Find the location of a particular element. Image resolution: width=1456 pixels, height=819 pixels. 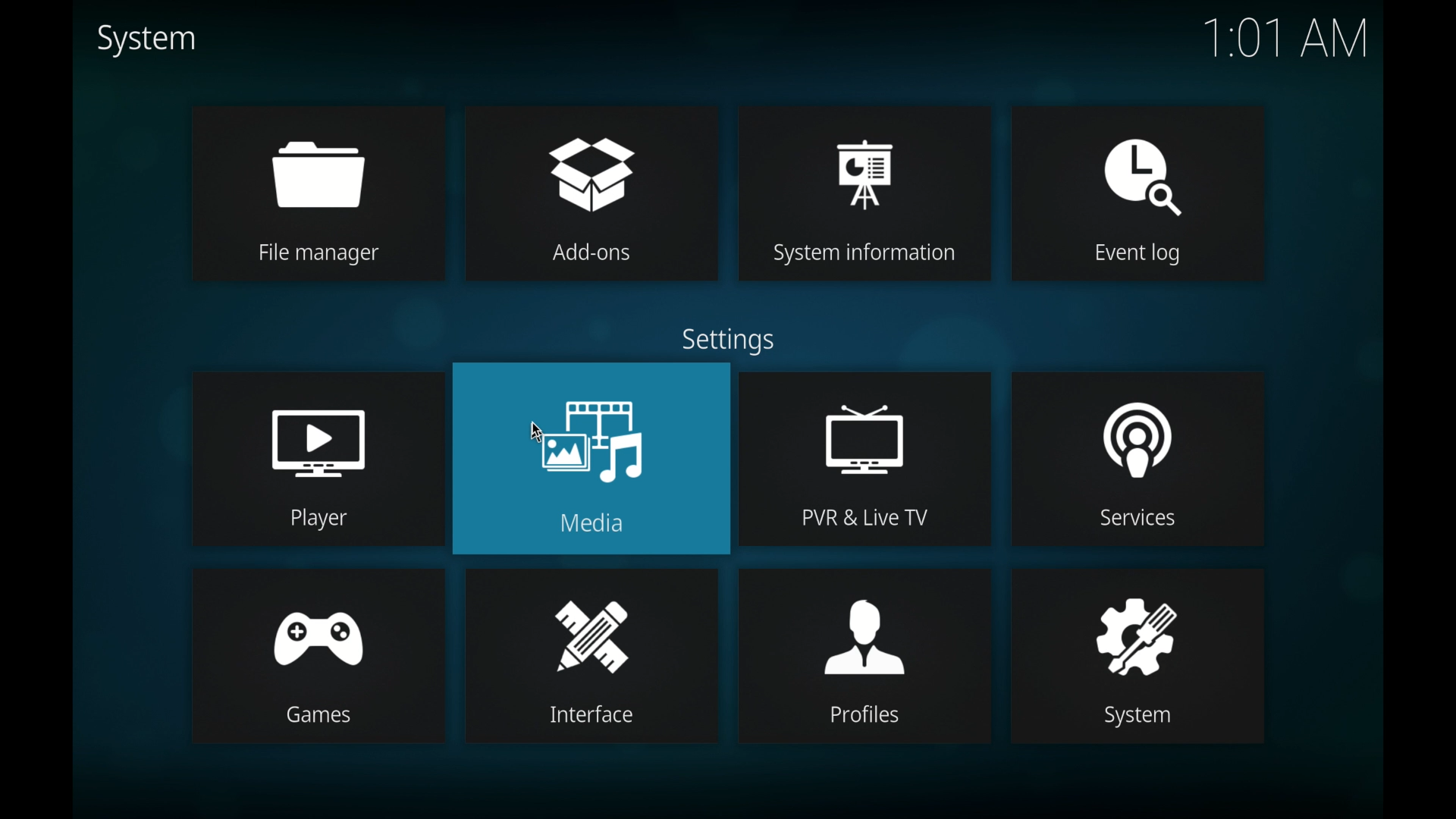

event log is located at coordinates (1134, 162).